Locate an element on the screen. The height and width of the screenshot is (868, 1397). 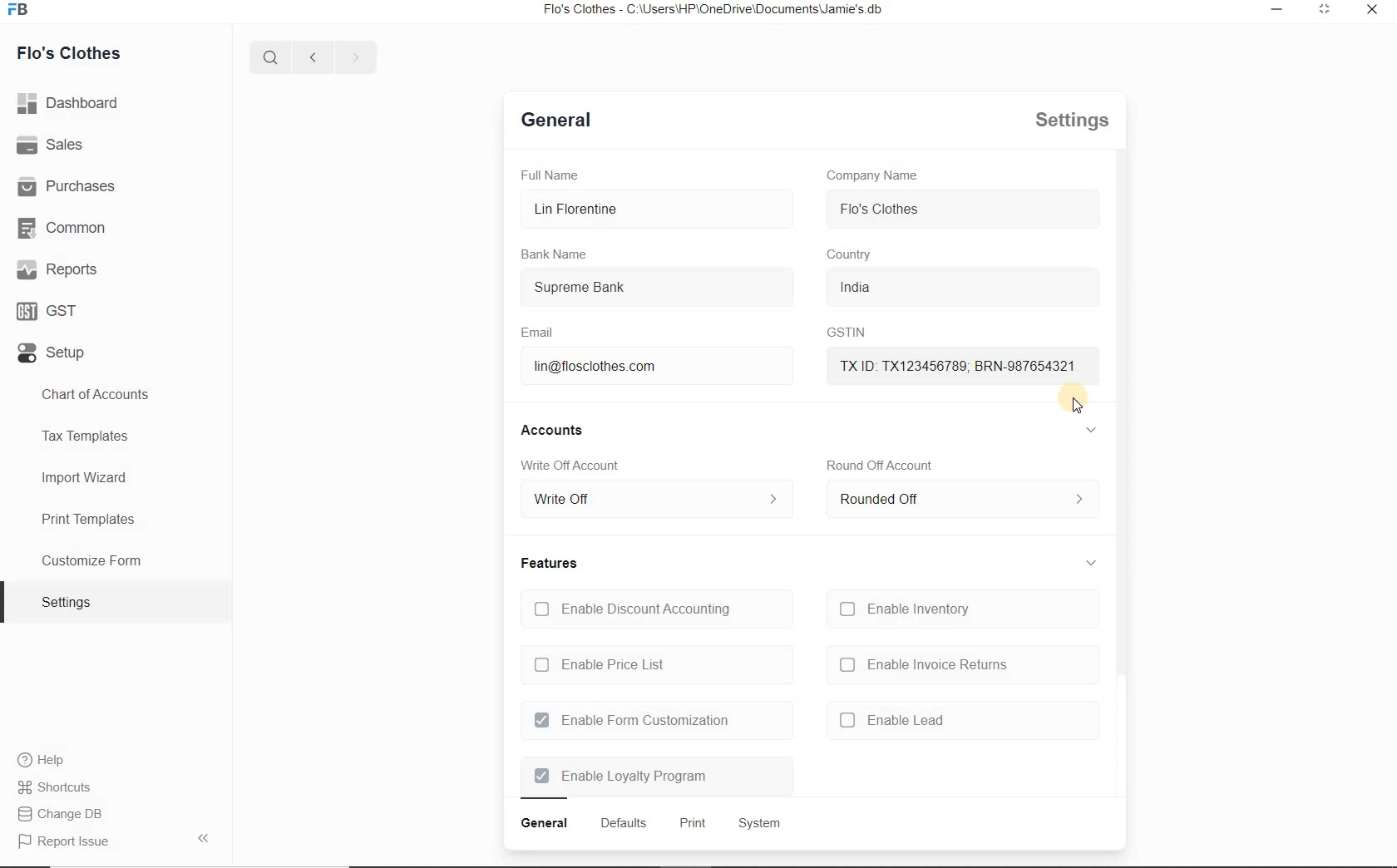
Full Name is located at coordinates (555, 175).